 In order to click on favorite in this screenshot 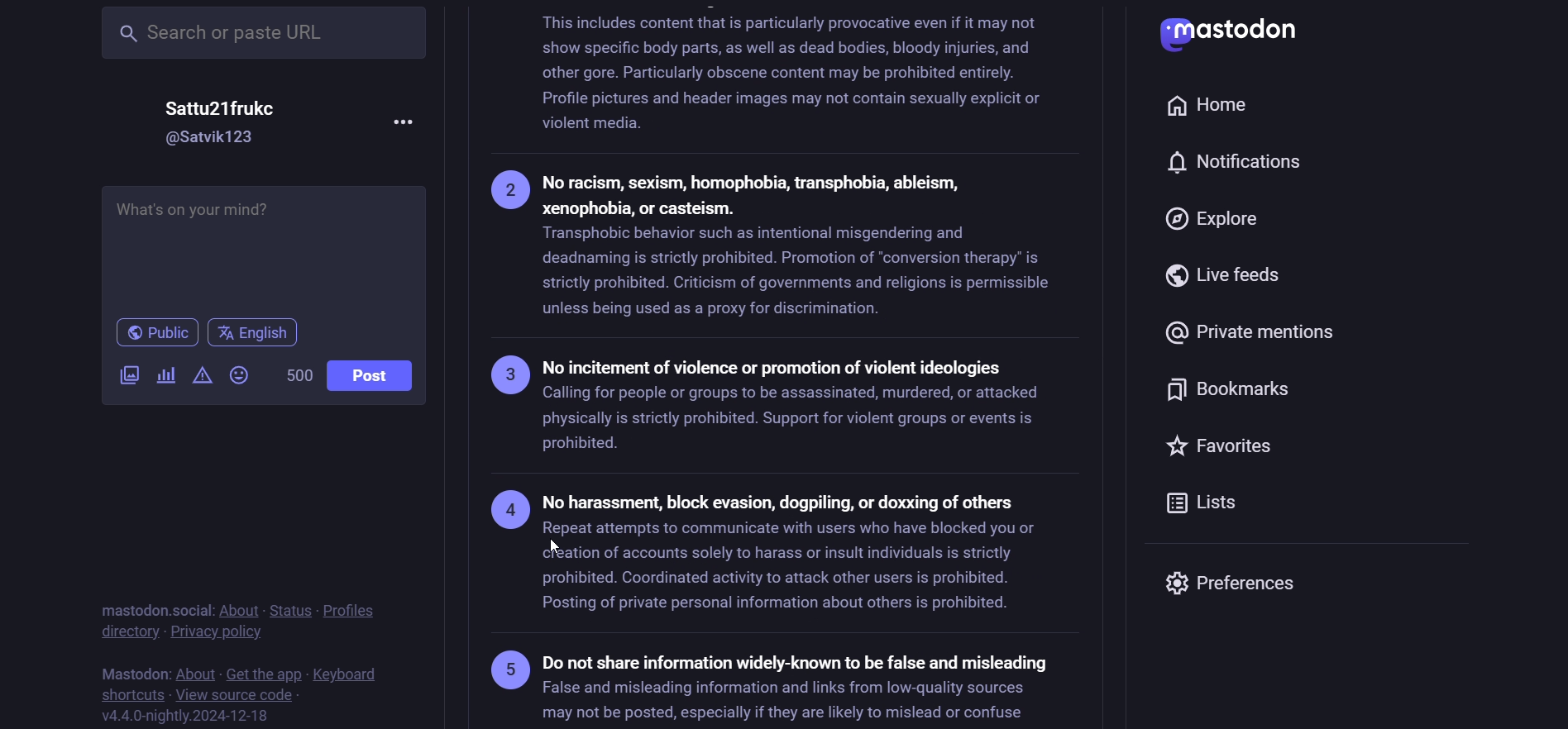, I will do `click(1231, 450)`.